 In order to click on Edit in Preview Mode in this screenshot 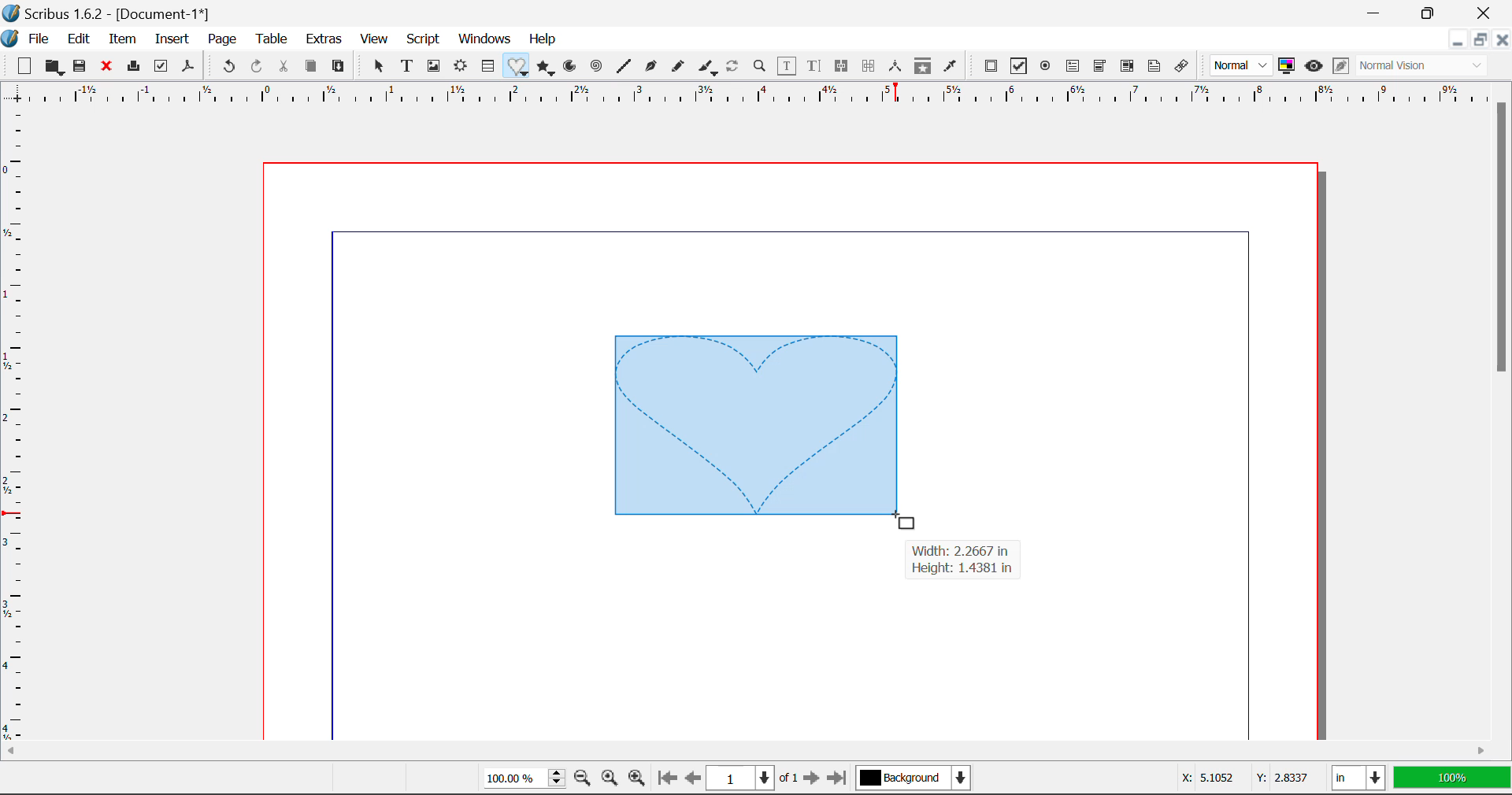, I will do `click(1340, 66)`.